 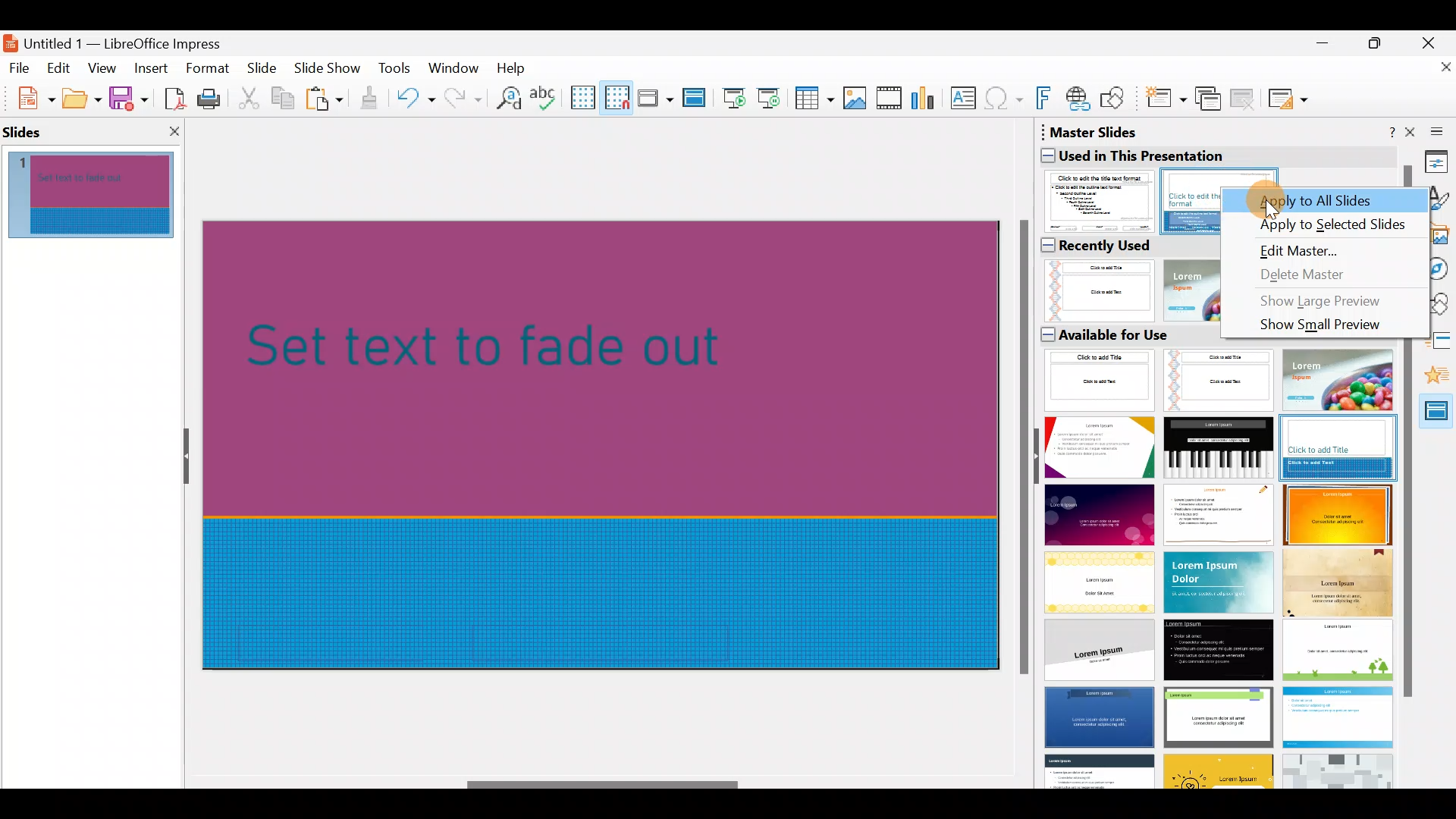 I want to click on Redo, so click(x=461, y=98).